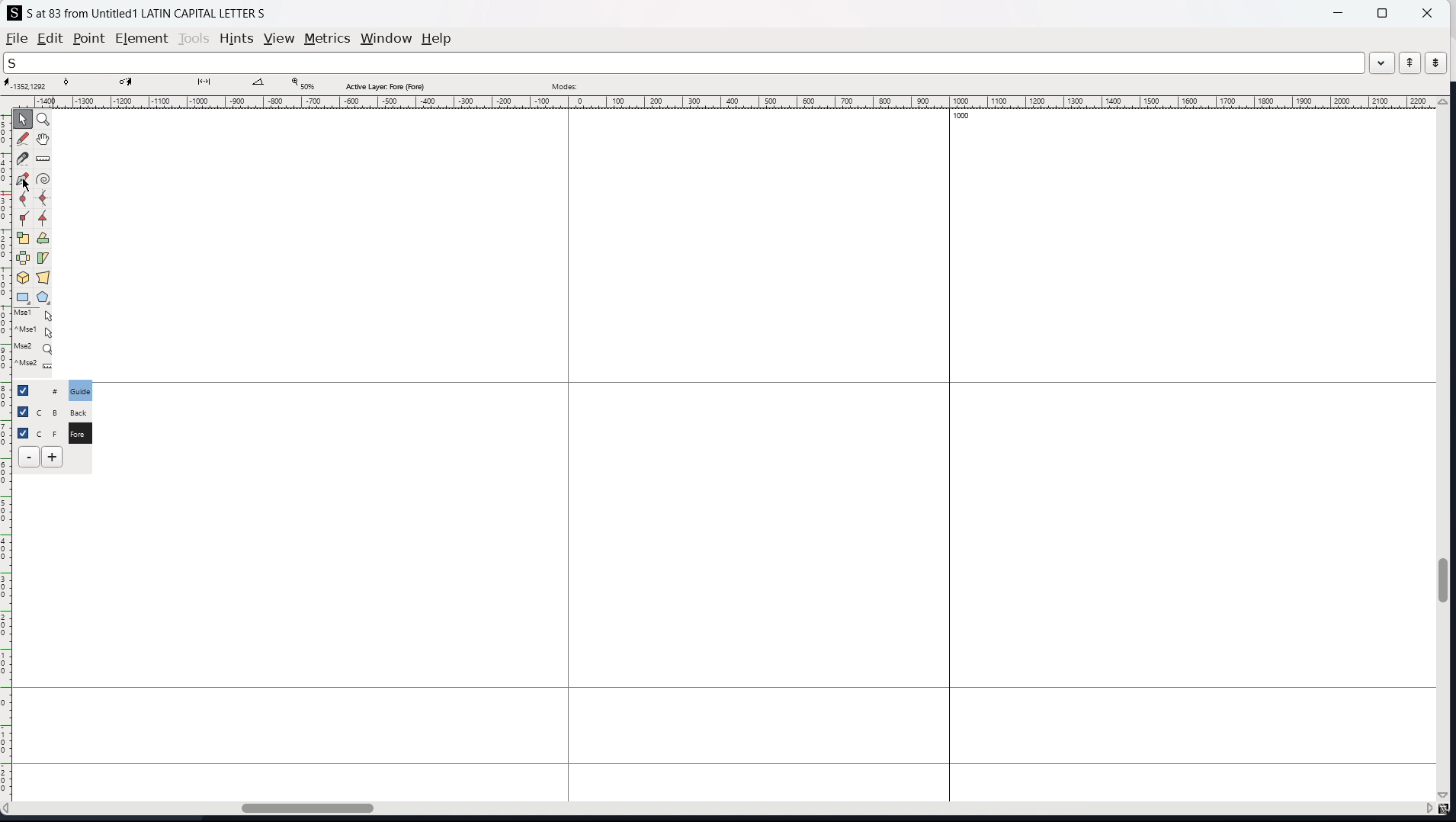  I want to click on minimize, so click(1340, 11).